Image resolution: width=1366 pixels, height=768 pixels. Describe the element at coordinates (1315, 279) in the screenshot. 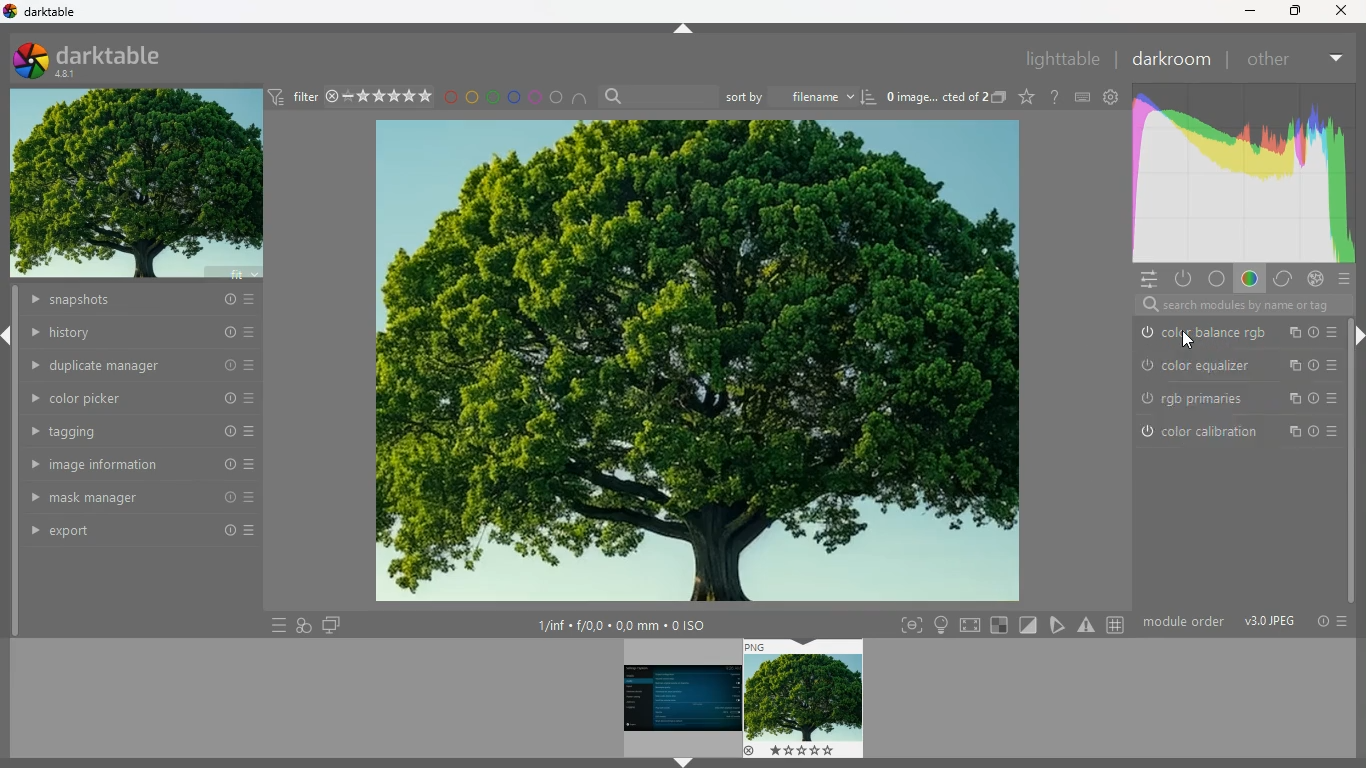

I see `effect` at that location.